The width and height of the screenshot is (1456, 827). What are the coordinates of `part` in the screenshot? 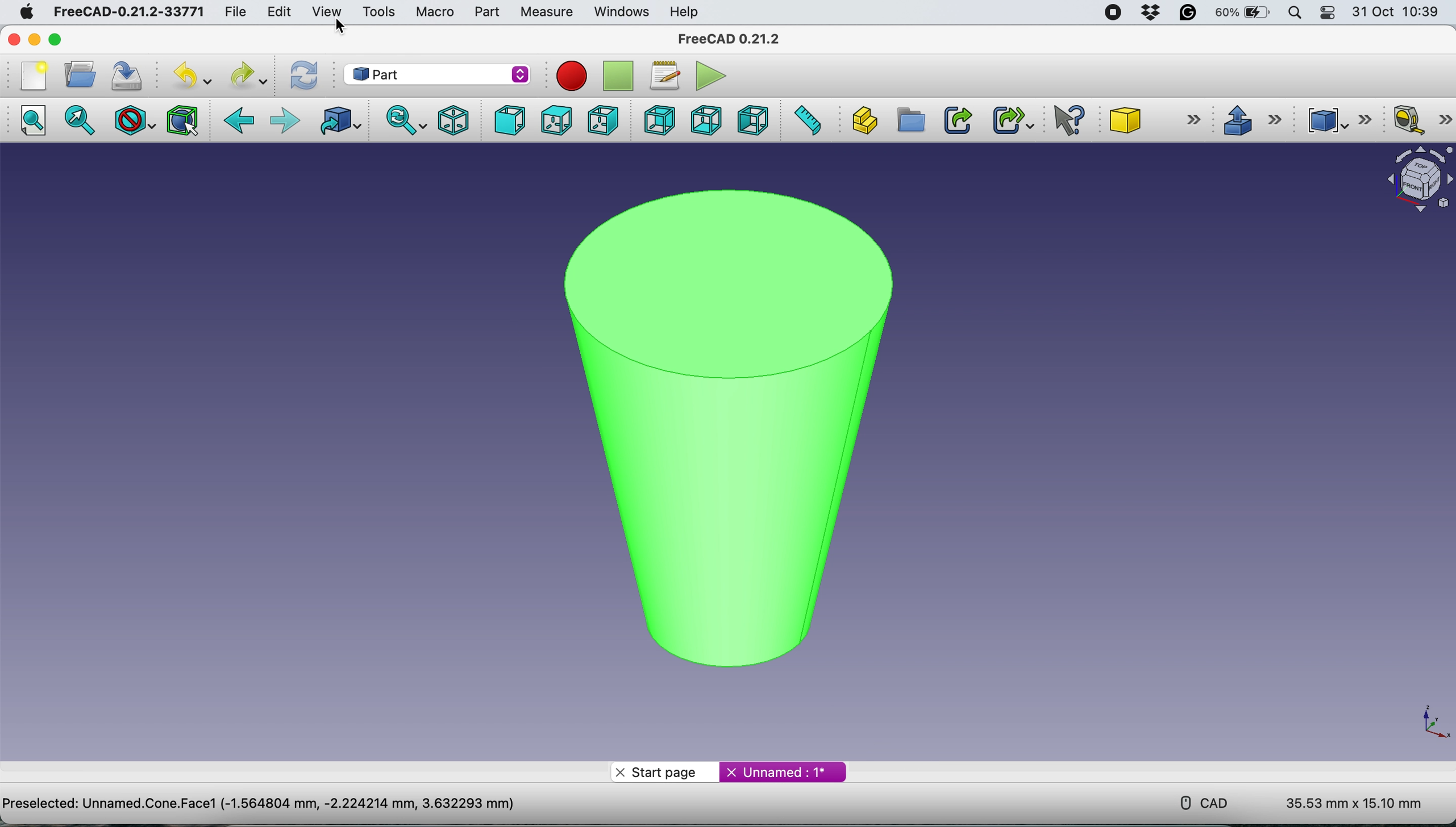 It's located at (439, 73).